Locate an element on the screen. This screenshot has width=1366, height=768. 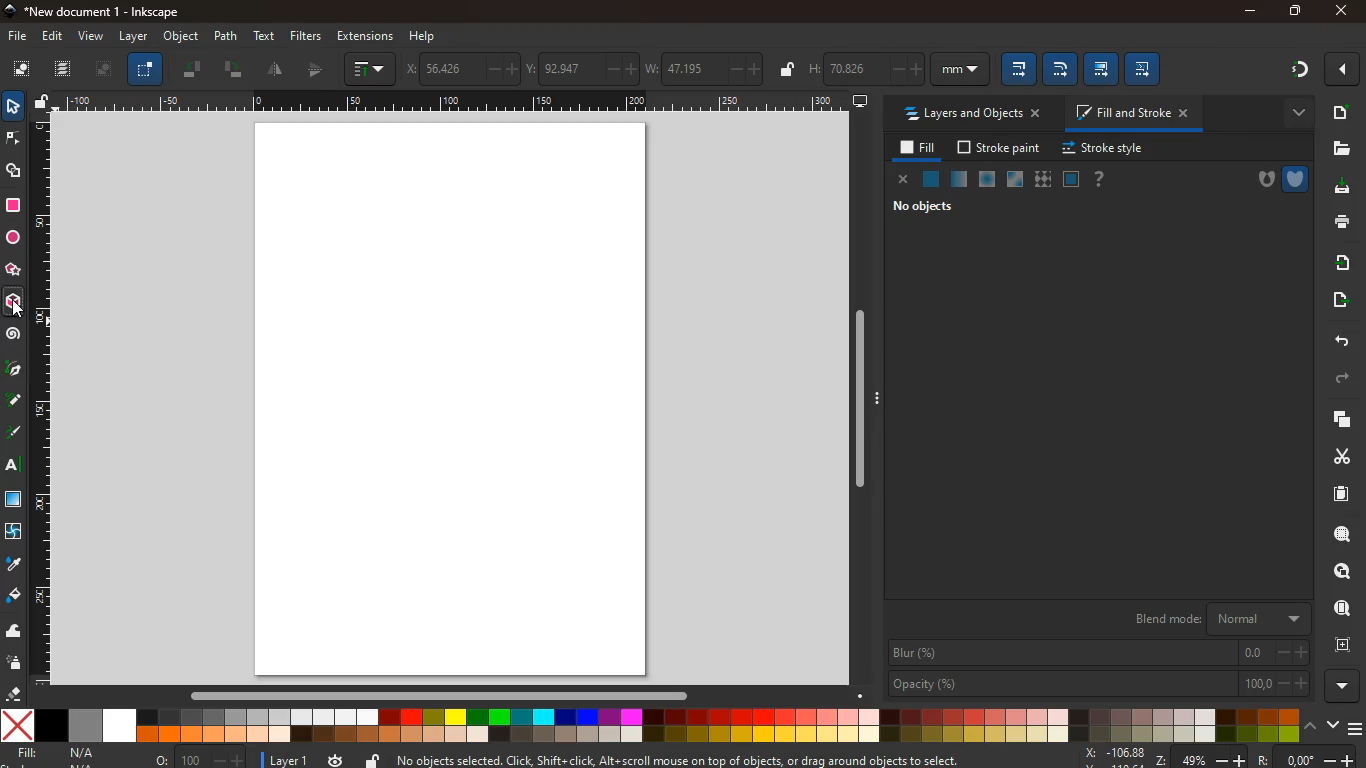
more is located at coordinates (1341, 685).